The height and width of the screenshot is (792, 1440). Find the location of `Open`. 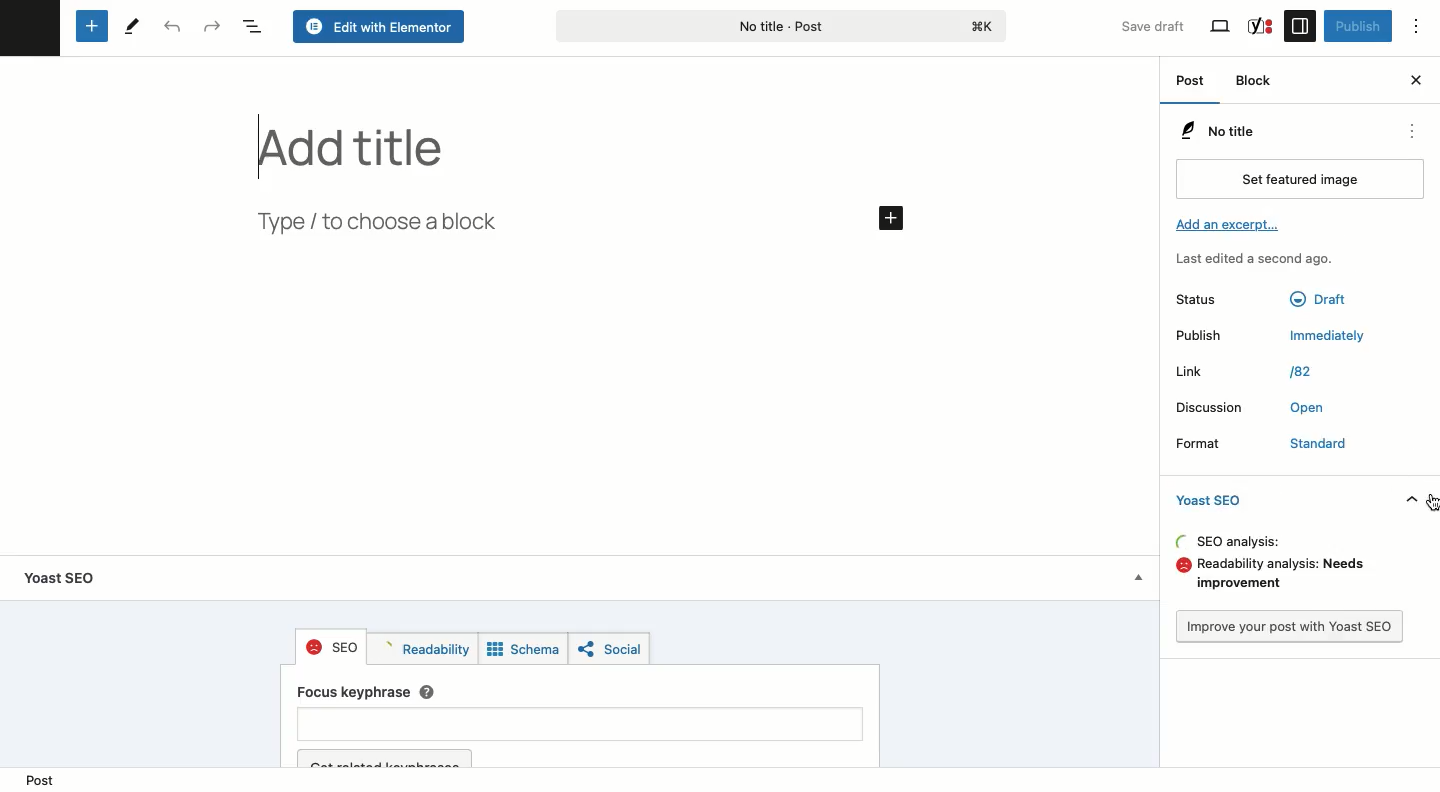

Open is located at coordinates (1304, 410).